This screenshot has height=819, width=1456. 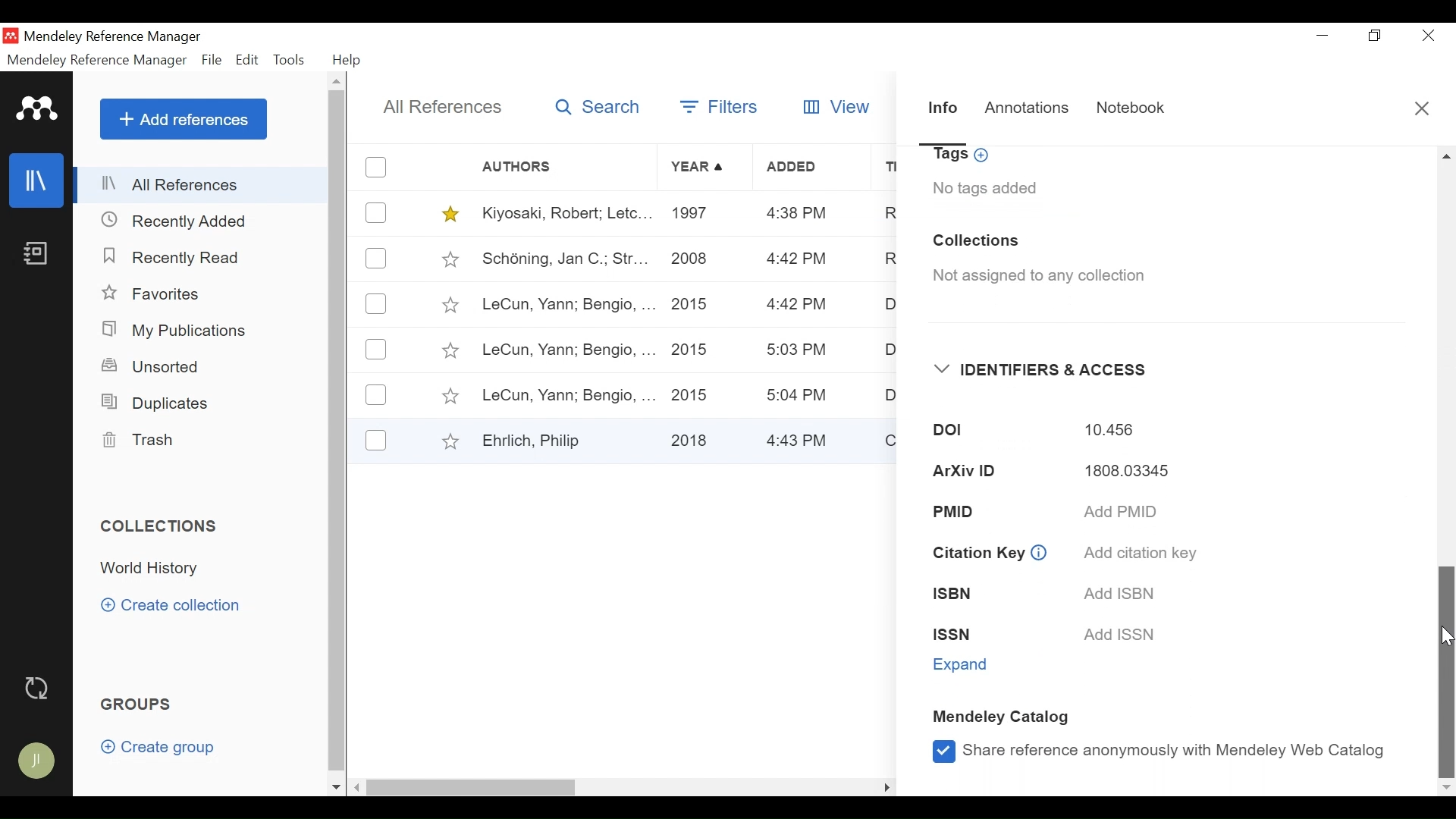 What do you see at coordinates (1041, 370) in the screenshot?
I see `Identifiers & Access` at bounding box center [1041, 370].